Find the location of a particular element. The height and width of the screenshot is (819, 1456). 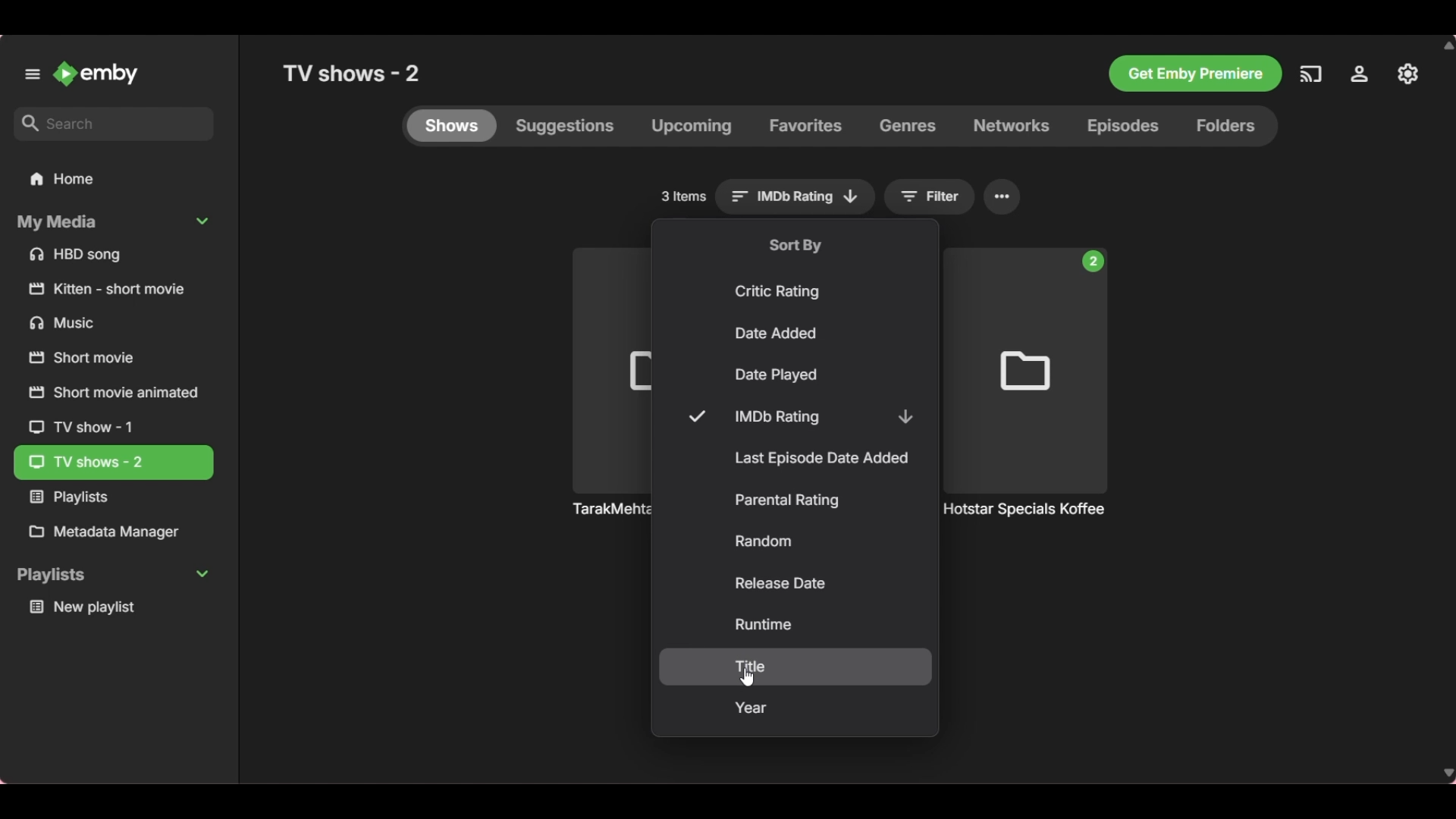

Favorites is located at coordinates (805, 126).